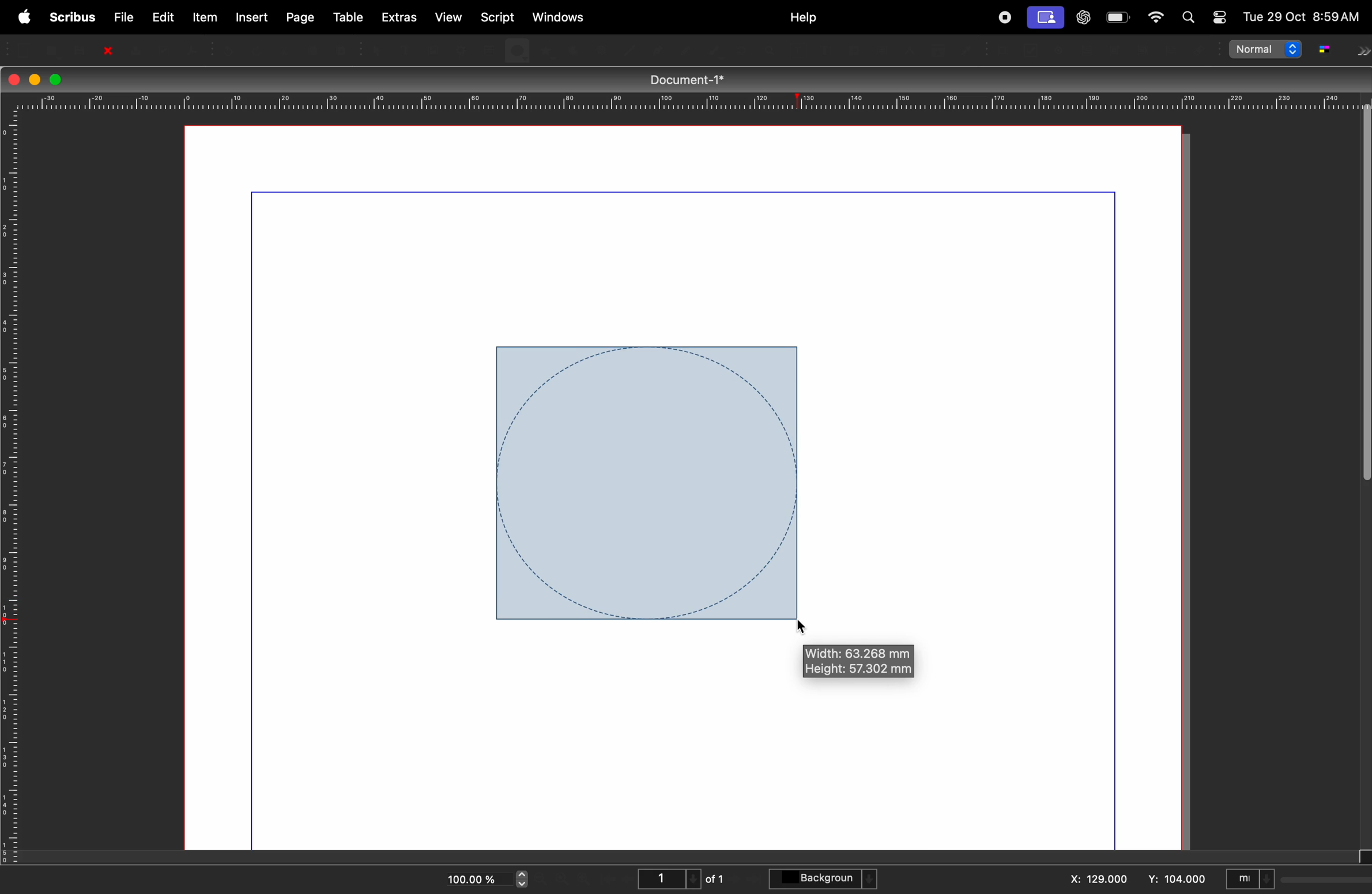 The image size is (1372, 894). What do you see at coordinates (546, 51) in the screenshot?
I see `polygon` at bounding box center [546, 51].